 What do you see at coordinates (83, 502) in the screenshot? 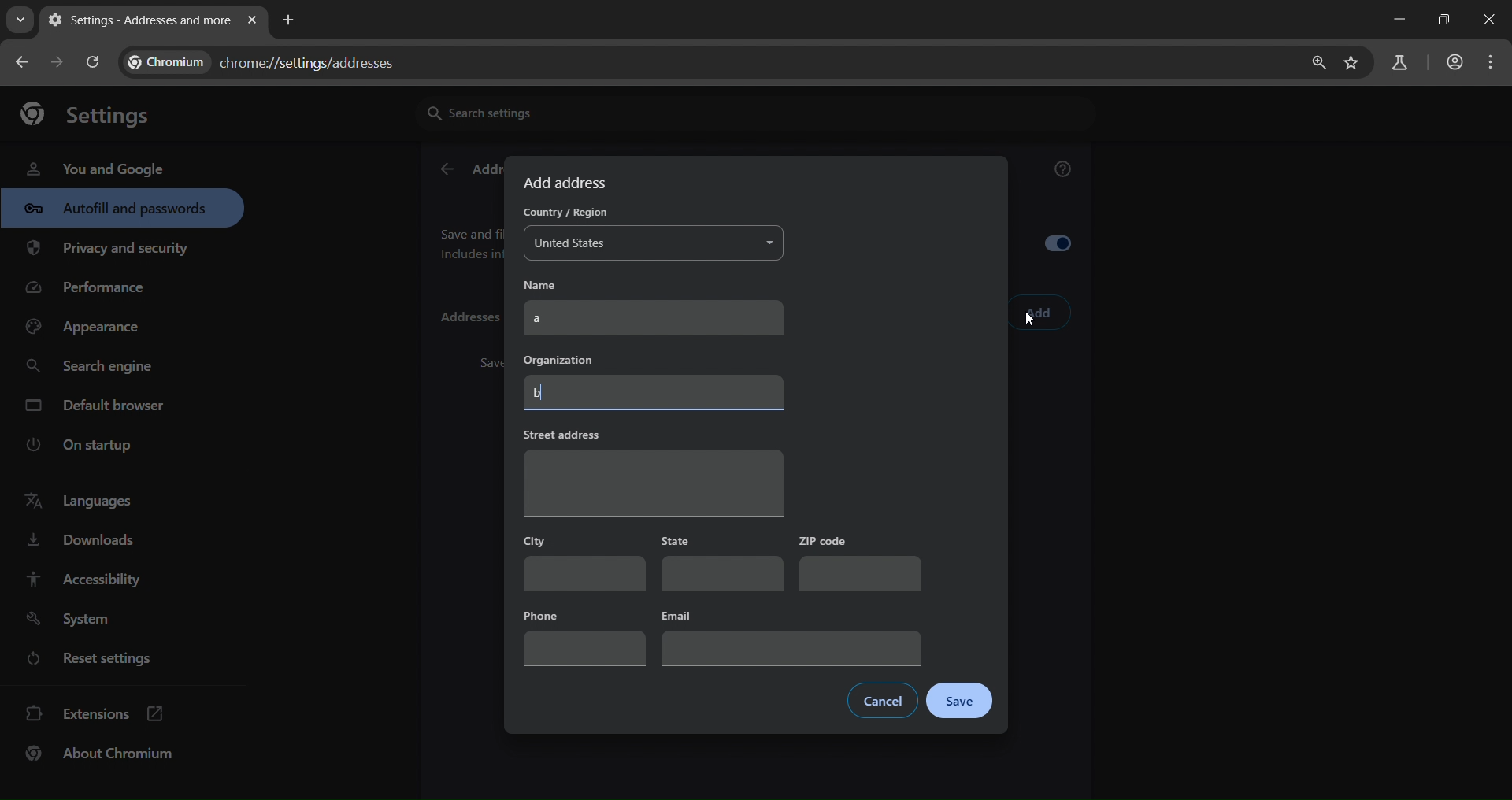
I see `language` at bounding box center [83, 502].